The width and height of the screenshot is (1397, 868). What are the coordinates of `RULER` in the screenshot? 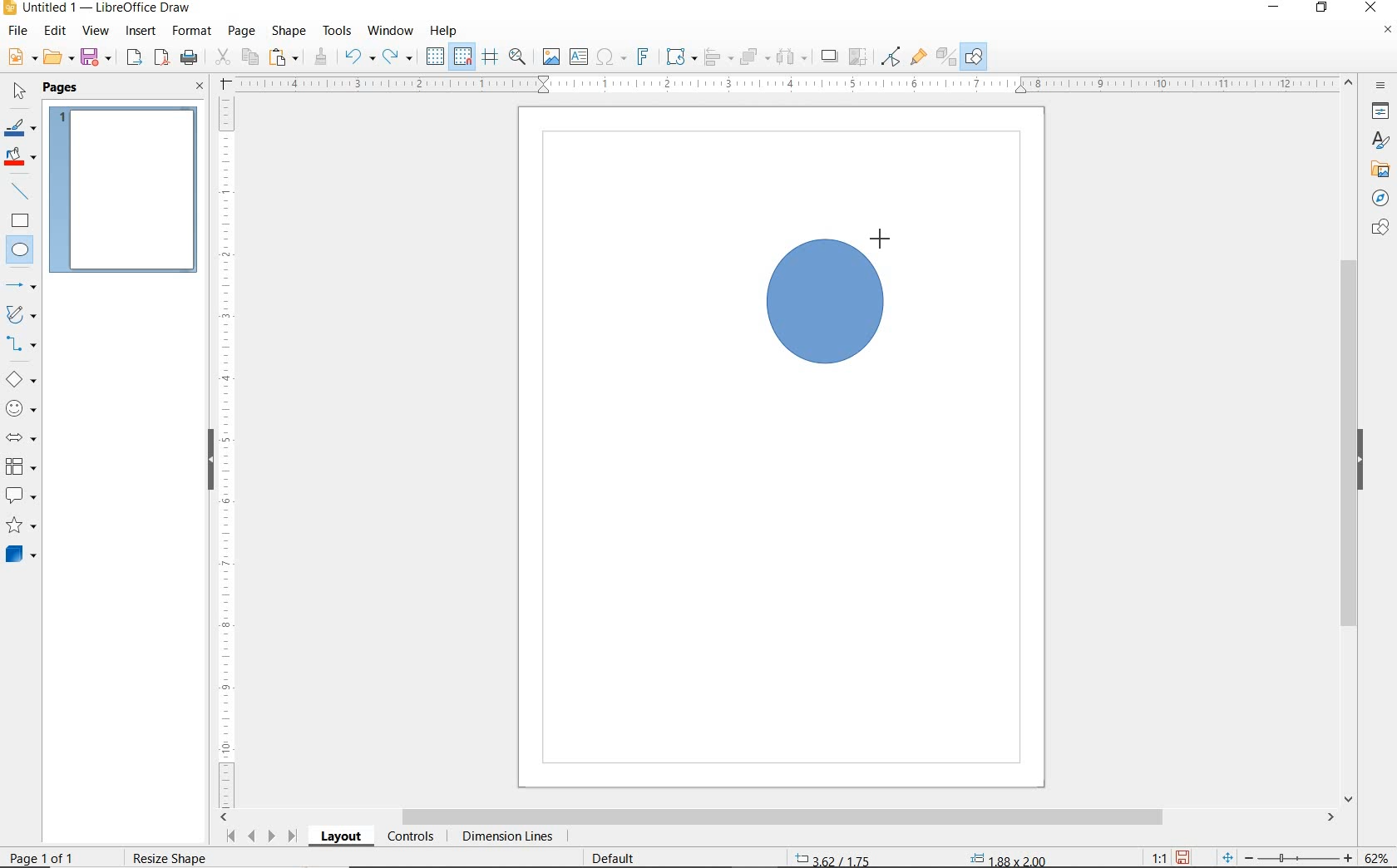 It's located at (788, 85).